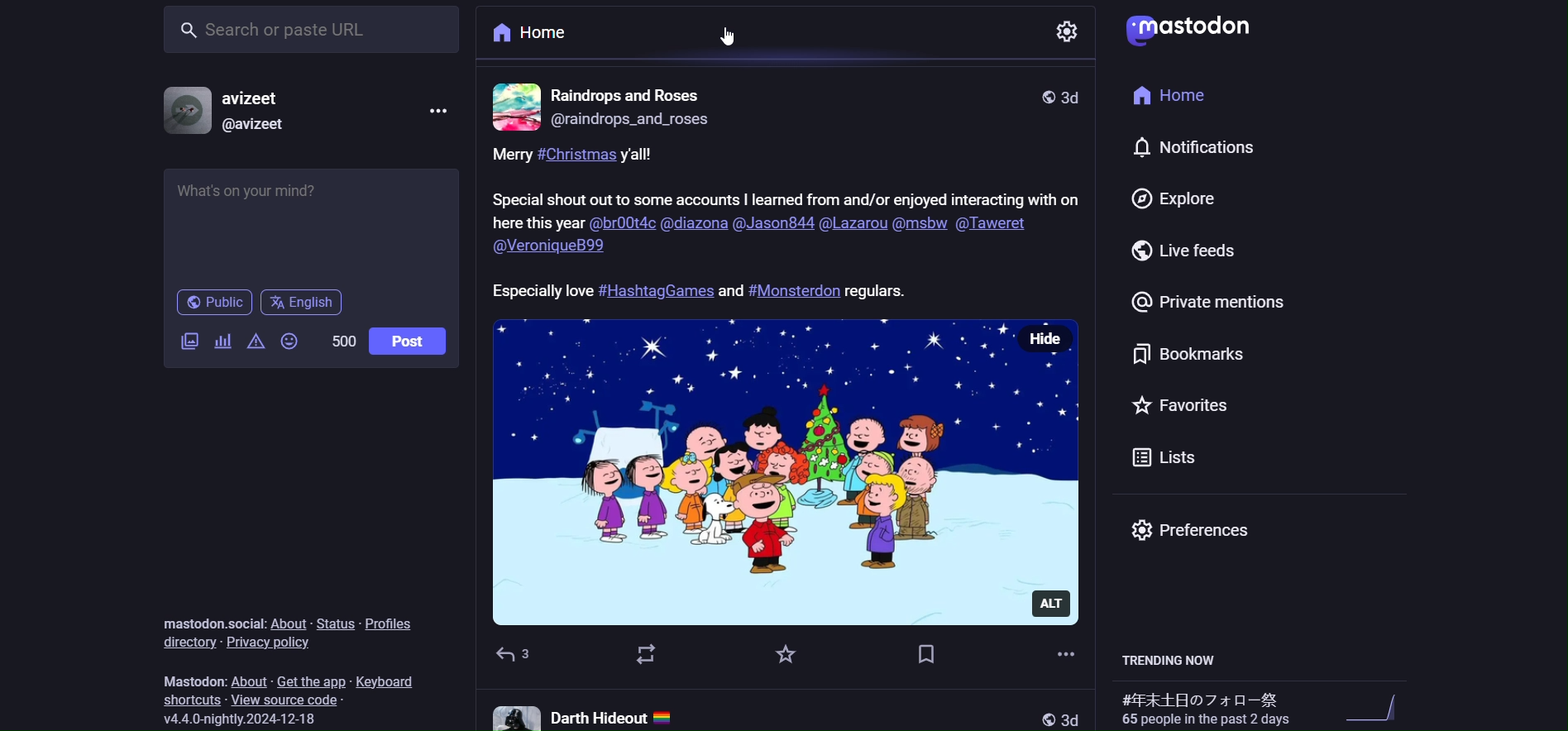 This screenshot has width=1568, height=731. Describe the element at coordinates (1191, 145) in the screenshot. I see `notification` at that location.